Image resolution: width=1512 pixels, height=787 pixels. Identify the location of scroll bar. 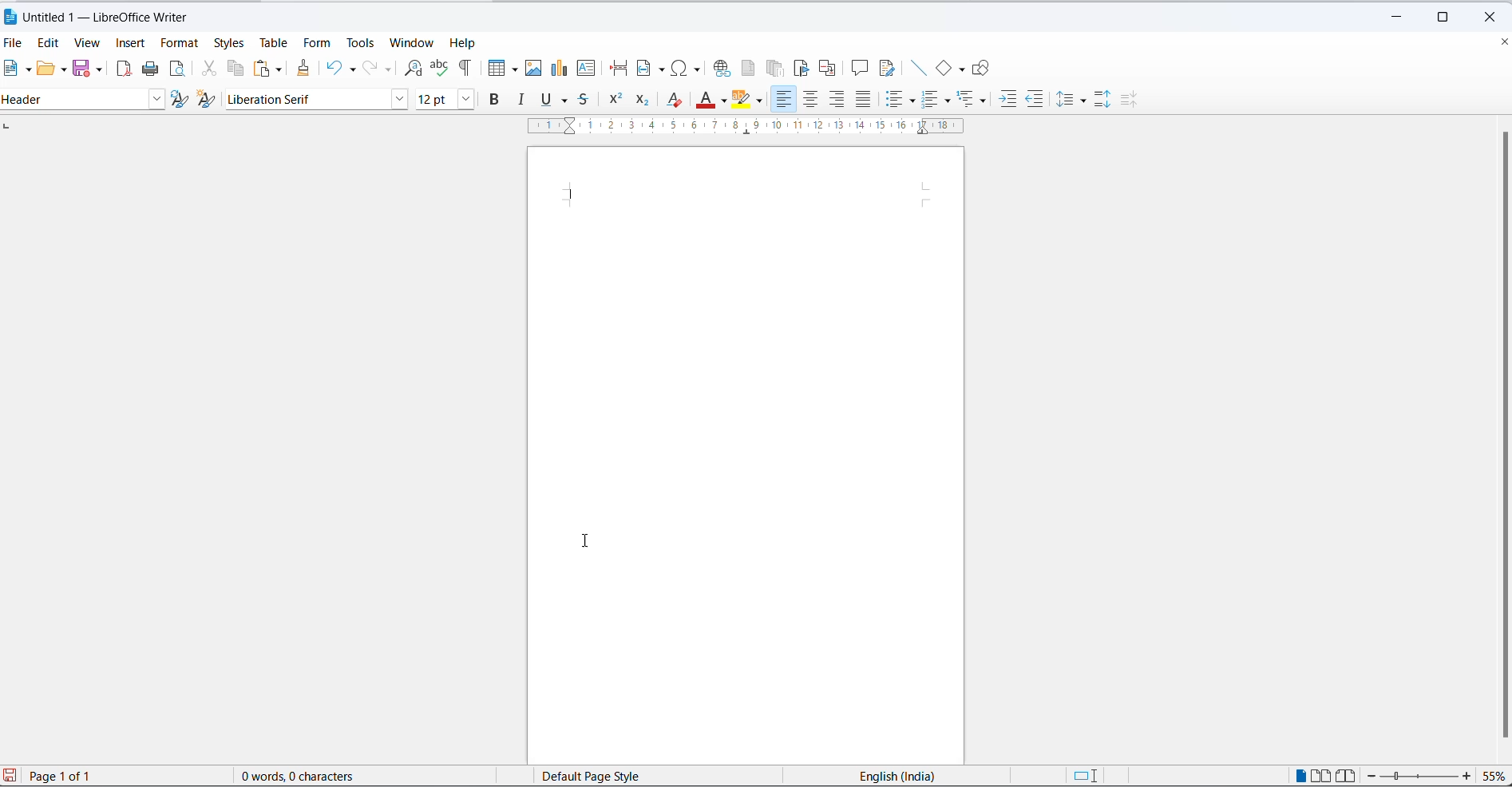
(1498, 436).